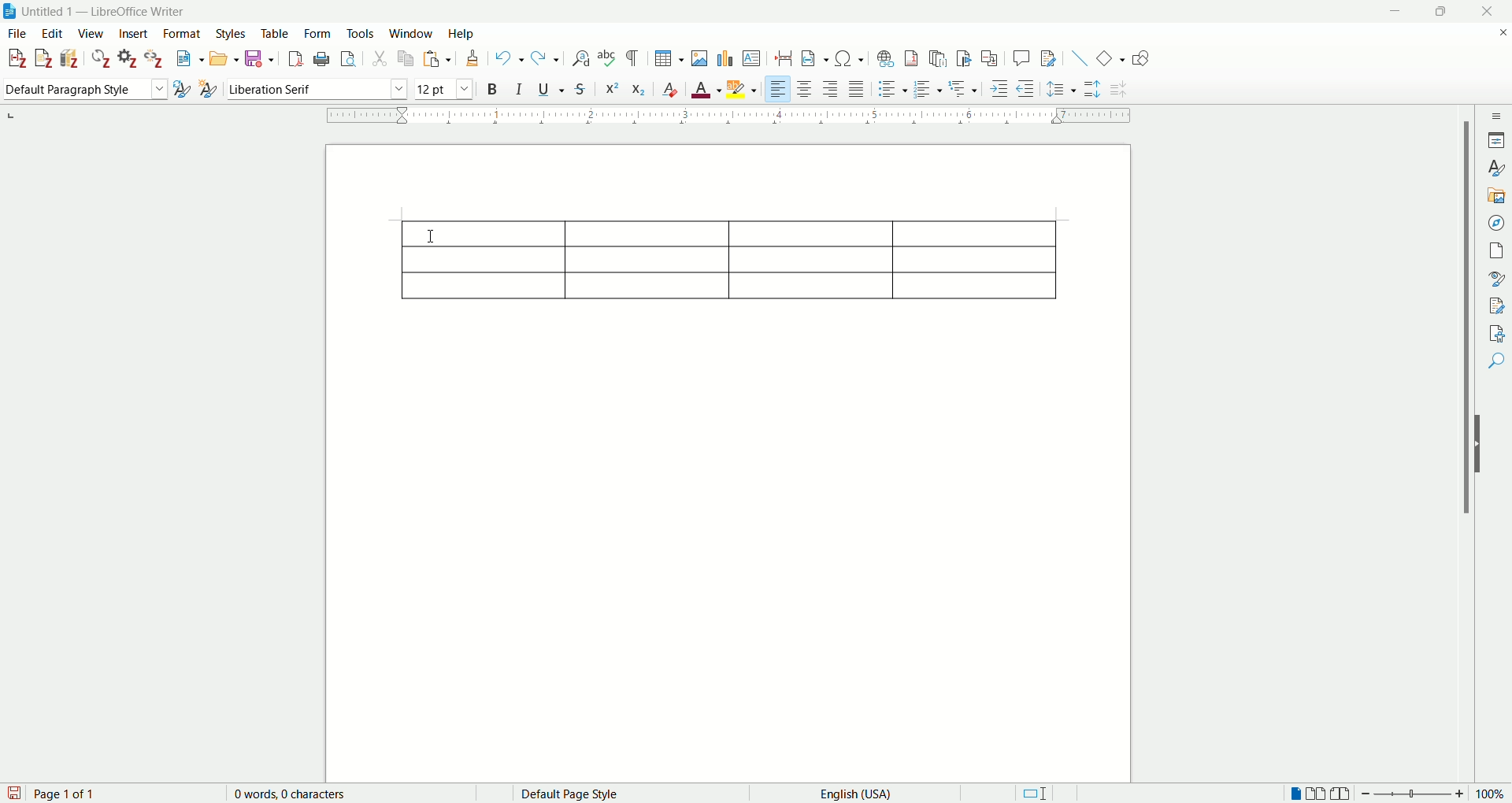 This screenshot has height=803, width=1512. What do you see at coordinates (323, 59) in the screenshot?
I see `print` at bounding box center [323, 59].